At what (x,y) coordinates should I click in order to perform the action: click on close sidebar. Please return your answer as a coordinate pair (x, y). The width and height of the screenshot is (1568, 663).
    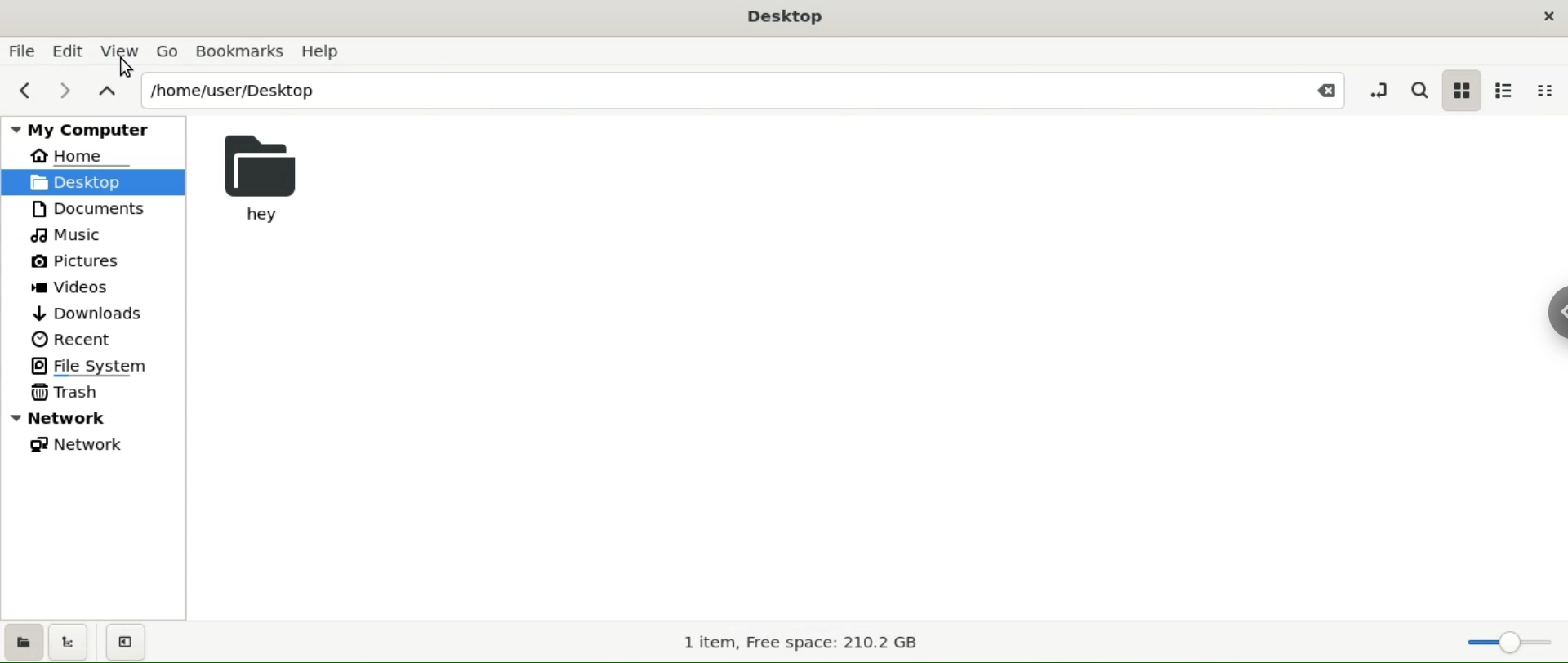
    Looking at the image, I should click on (125, 642).